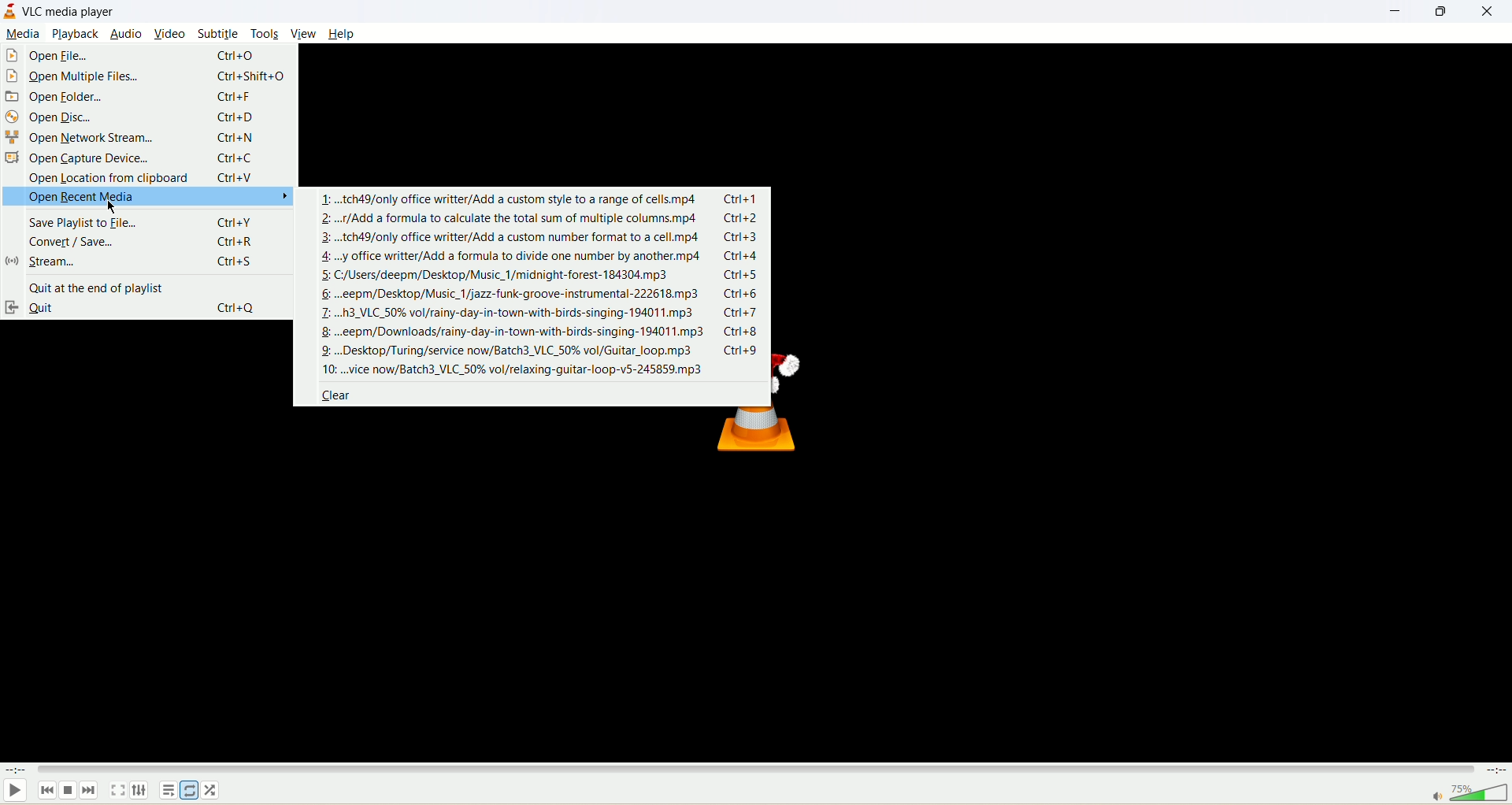 The image size is (1512, 805). Describe the element at coordinates (100, 221) in the screenshot. I see `save playlist to file...` at that location.